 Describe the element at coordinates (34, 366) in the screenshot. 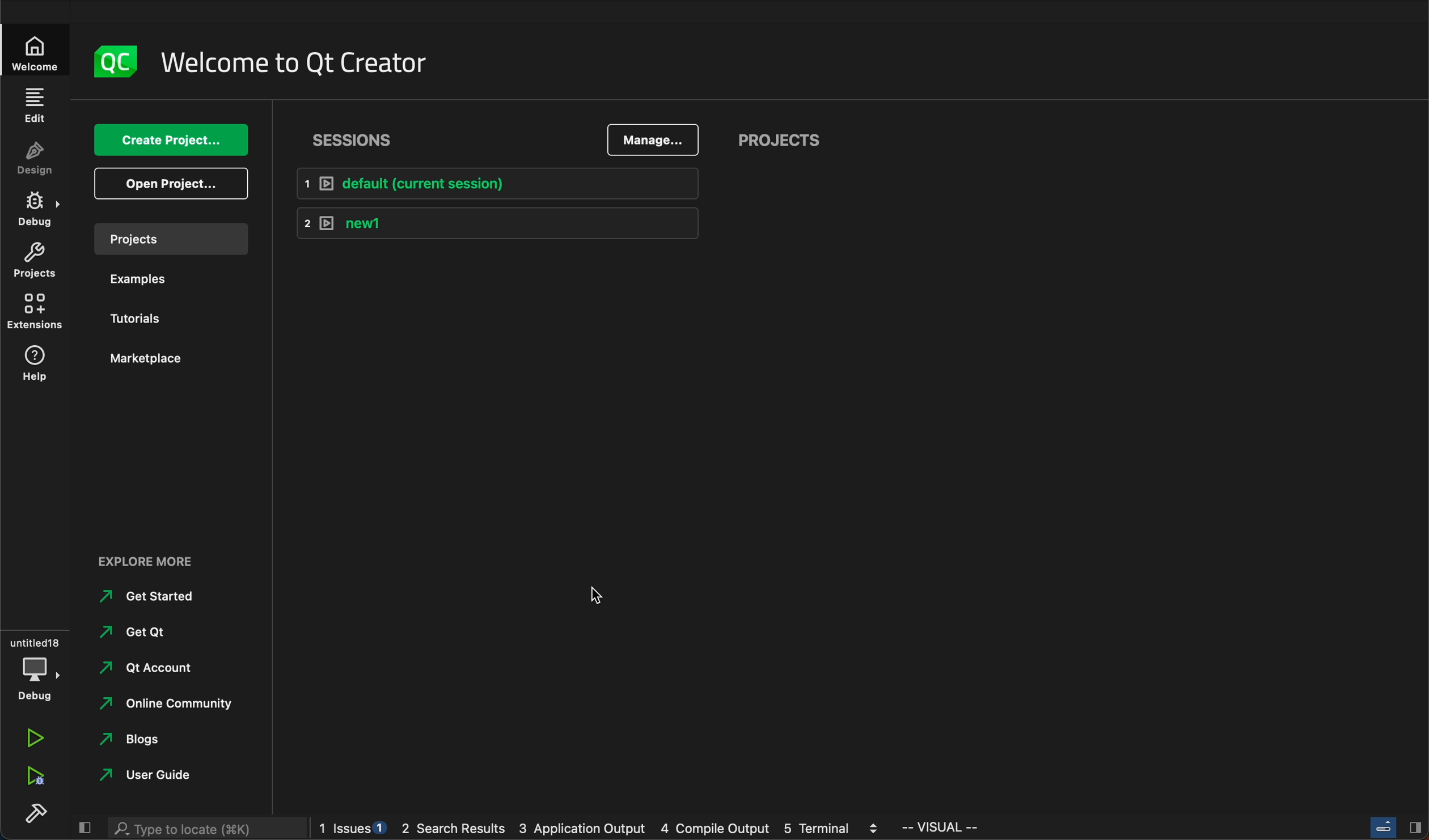

I see `help` at that location.